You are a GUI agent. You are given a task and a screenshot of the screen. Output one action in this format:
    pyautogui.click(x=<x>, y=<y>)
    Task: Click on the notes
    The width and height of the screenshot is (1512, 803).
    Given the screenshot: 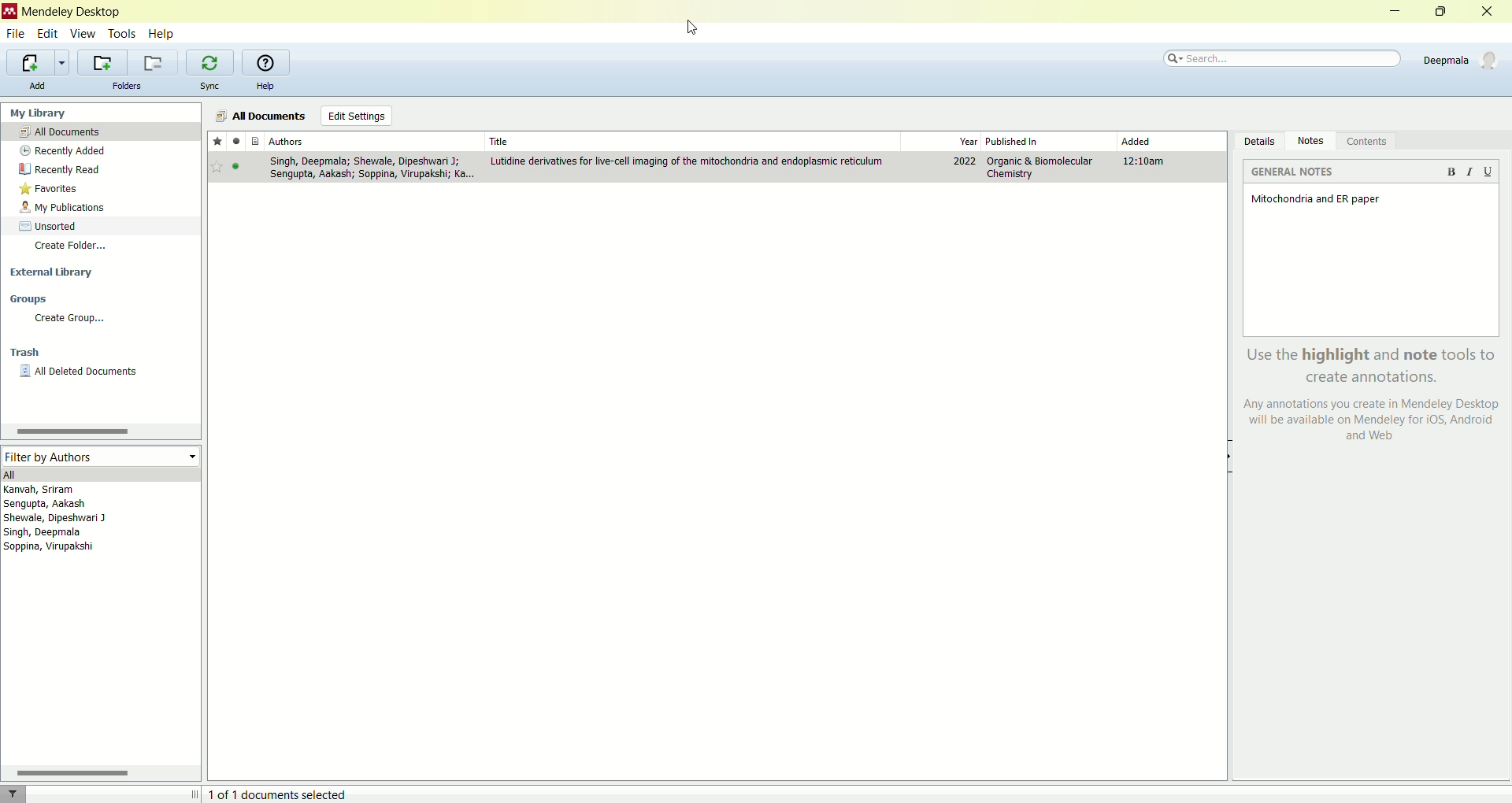 What is the action you would take?
    pyautogui.click(x=1310, y=142)
    